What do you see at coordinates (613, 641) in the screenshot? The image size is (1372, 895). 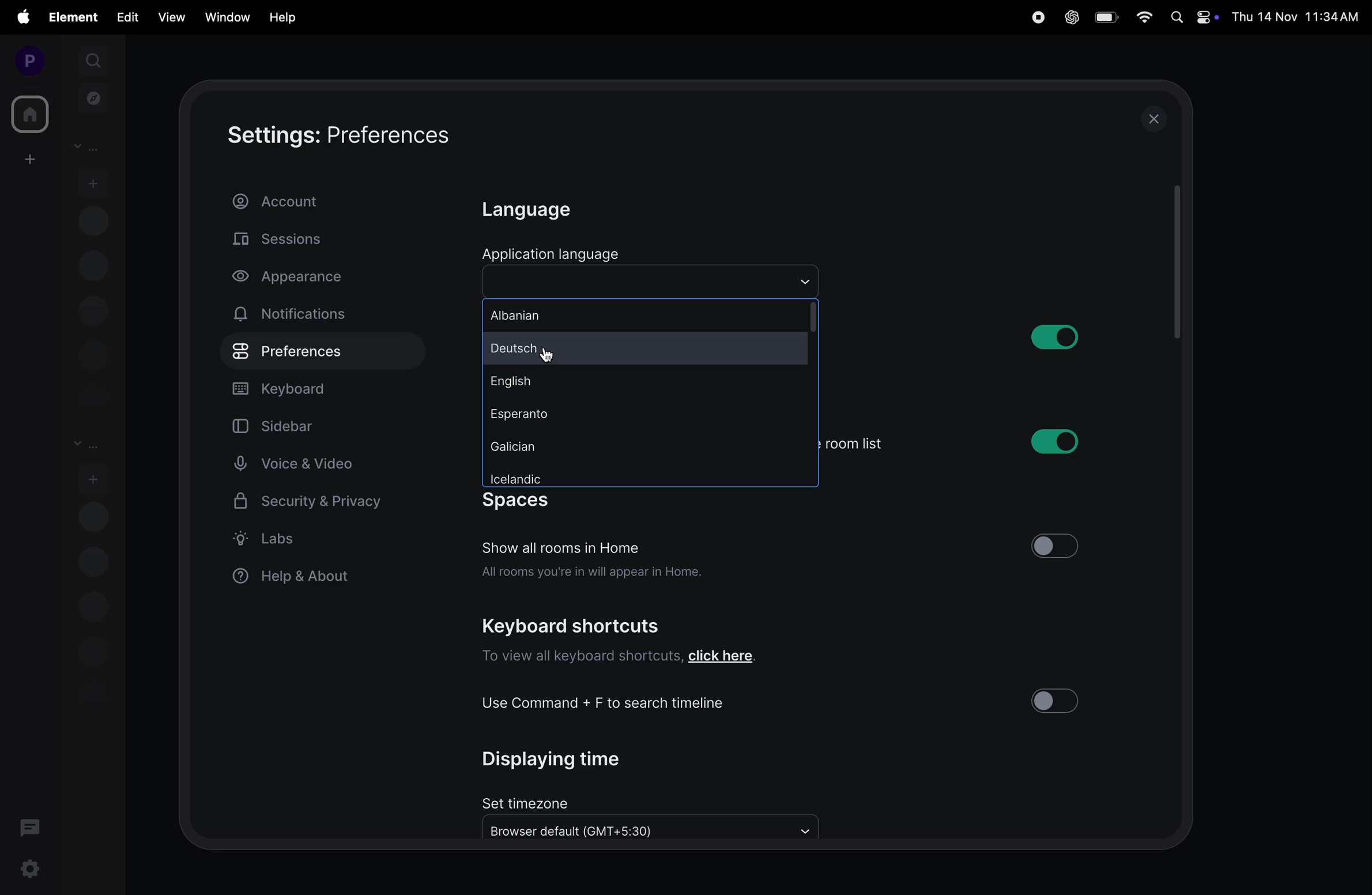 I see `Keyboard shortcuts
To view all keyboard shortcuts, click here.` at bounding box center [613, 641].